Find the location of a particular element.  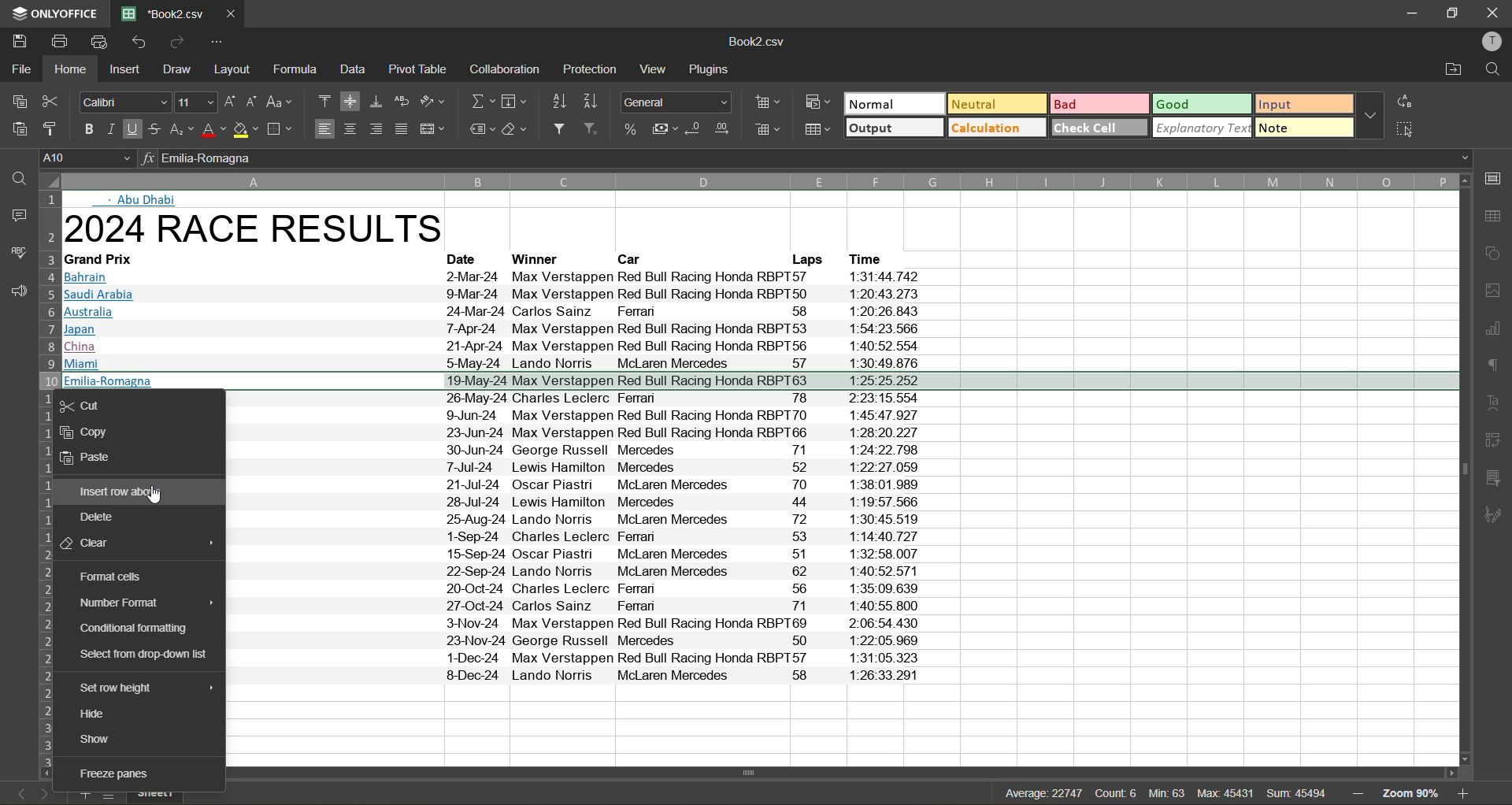

align top is located at coordinates (325, 102).